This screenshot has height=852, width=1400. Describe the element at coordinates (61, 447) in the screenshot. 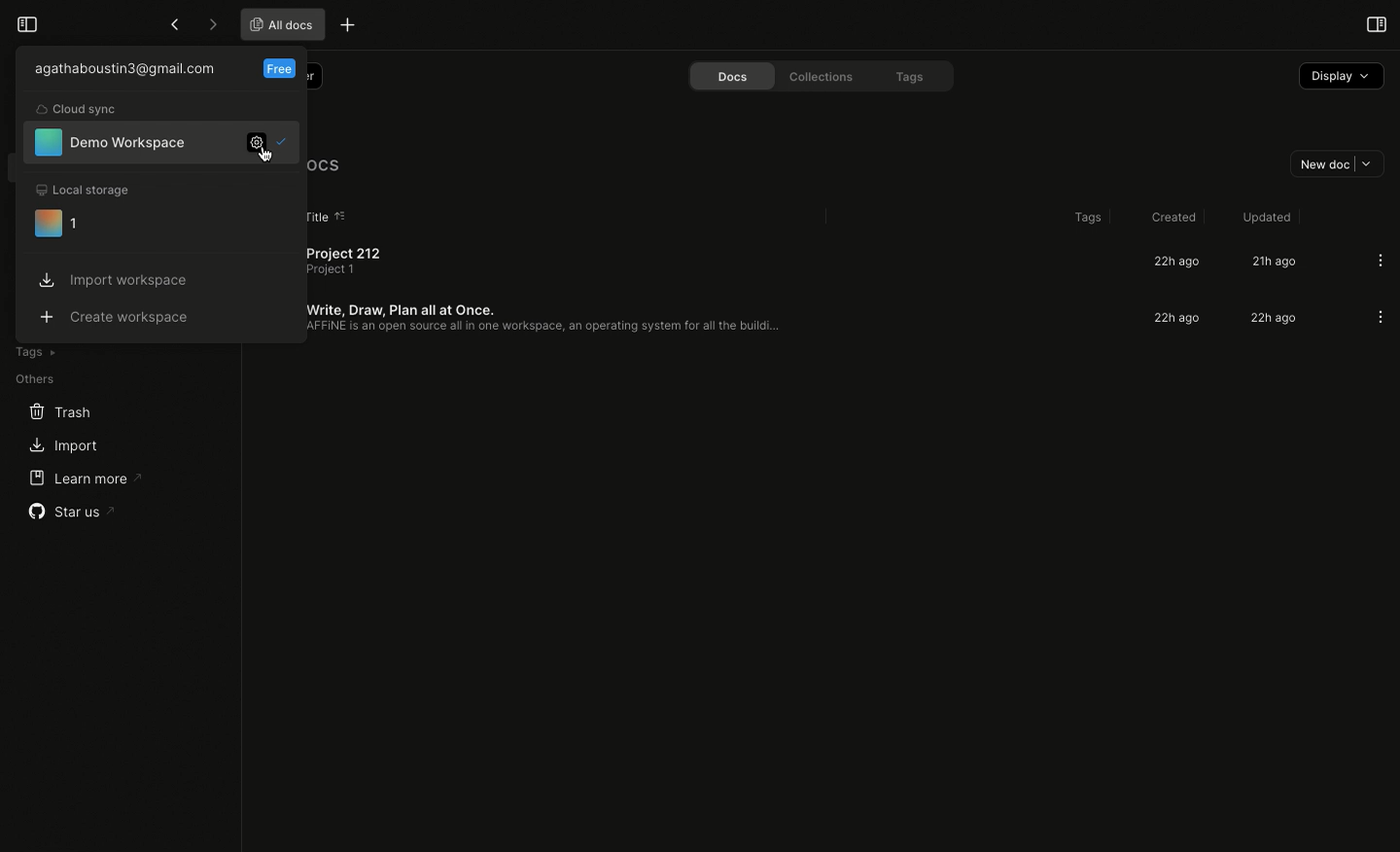

I see `Import` at that location.